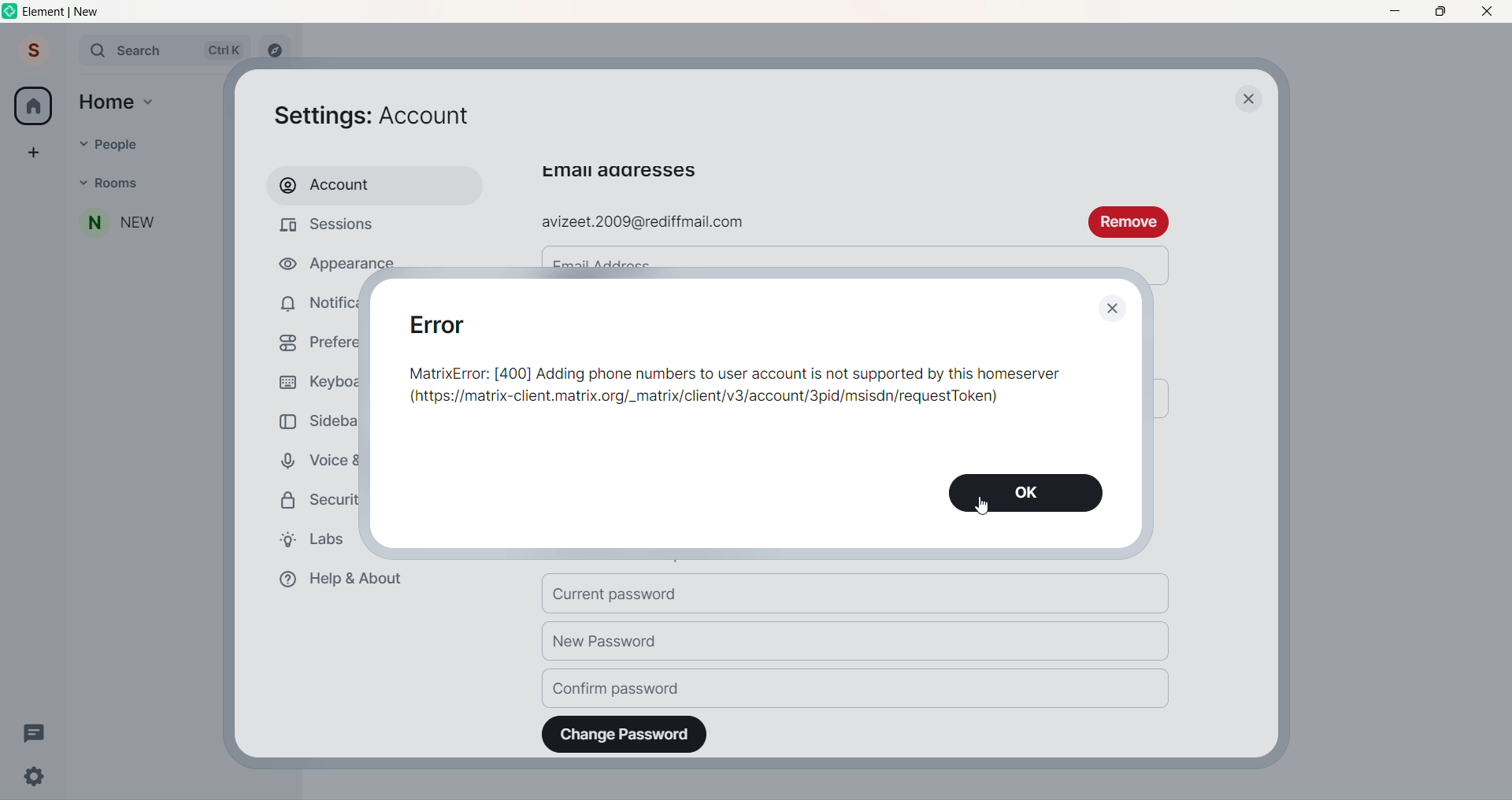  I want to click on Help & About, so click(339, 580).